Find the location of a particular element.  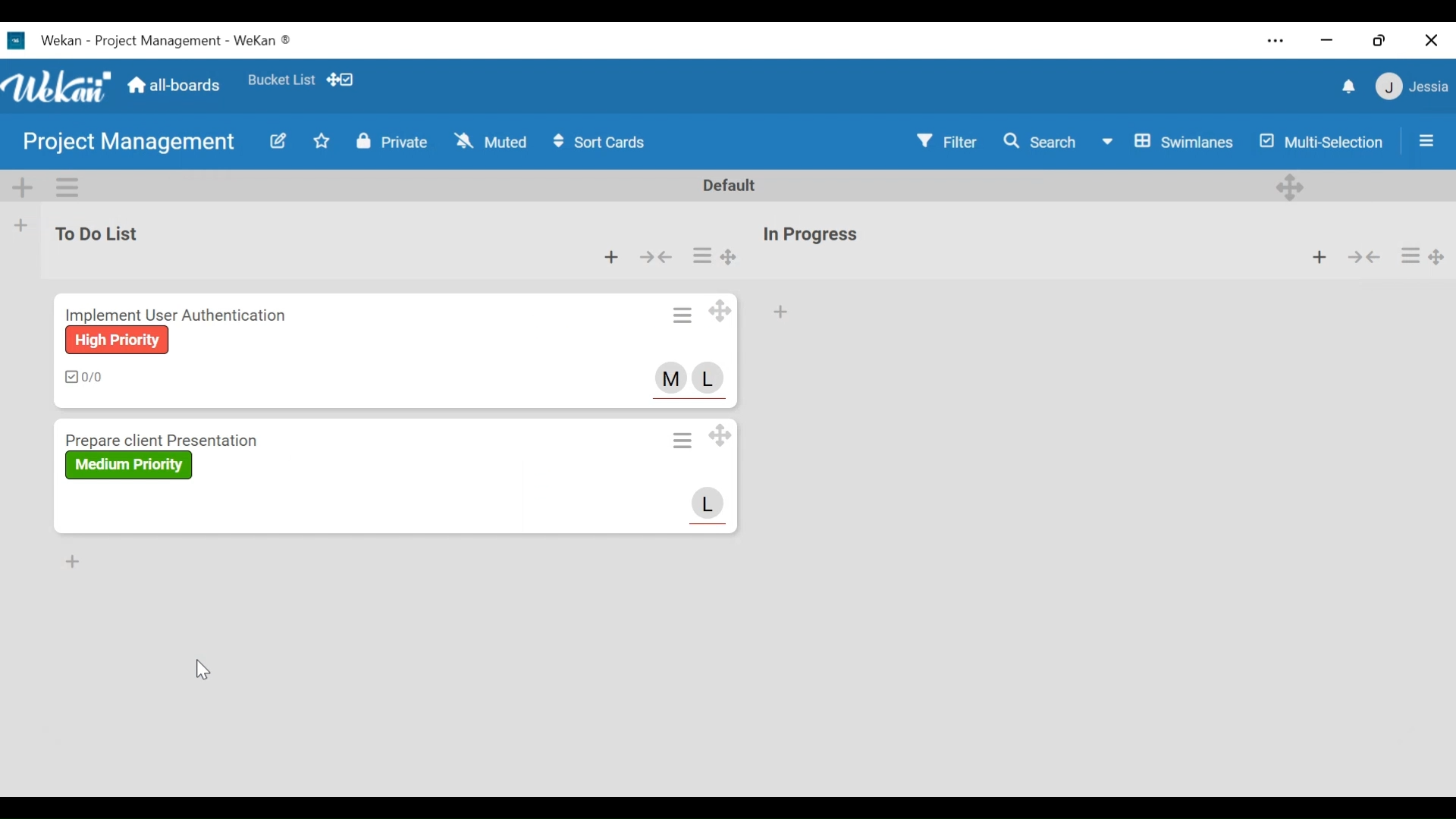

Desktop drag handle is located at coordinates (723, 313).